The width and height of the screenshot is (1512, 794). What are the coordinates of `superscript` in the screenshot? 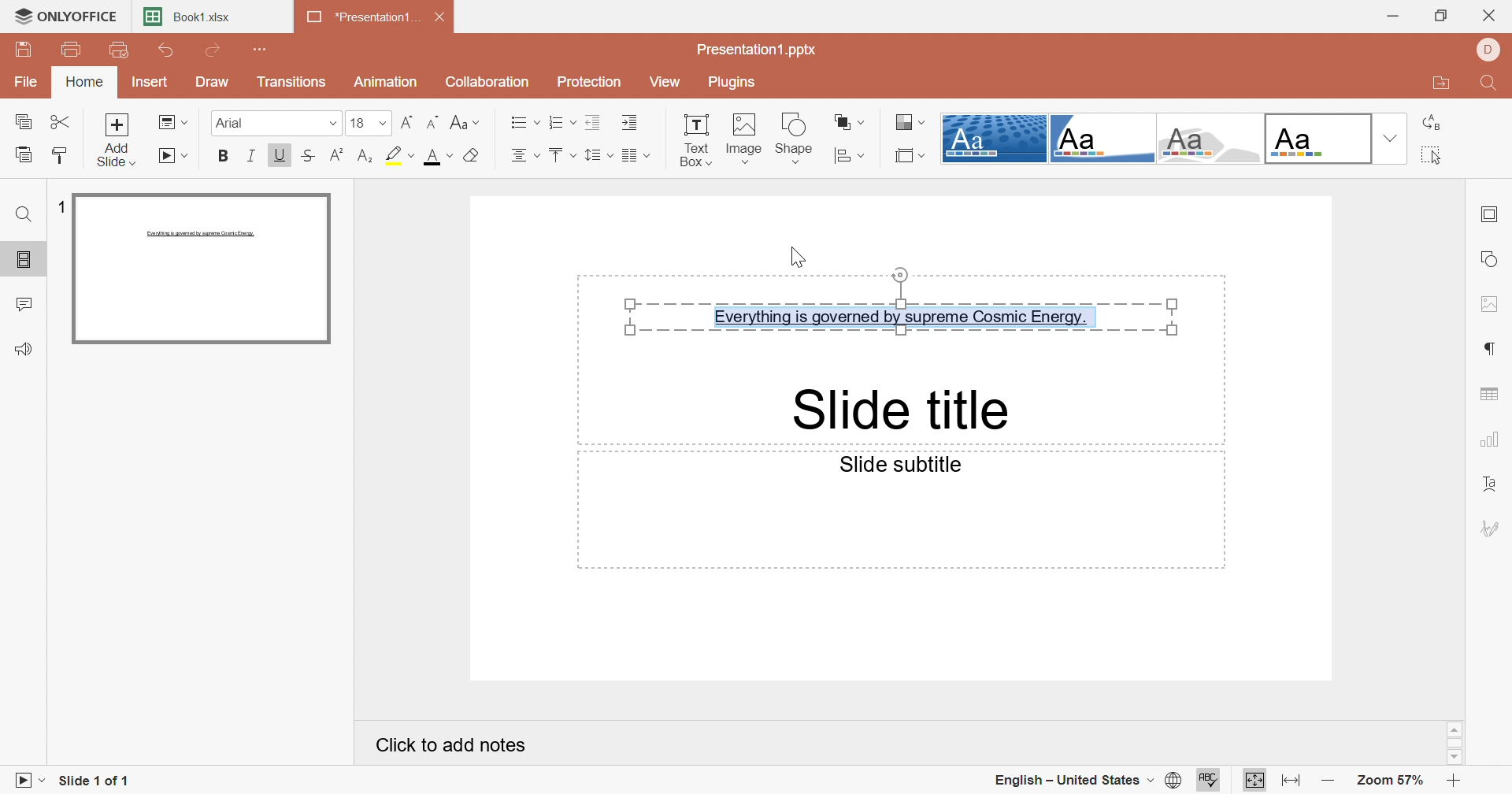 It's located at (335, 154).